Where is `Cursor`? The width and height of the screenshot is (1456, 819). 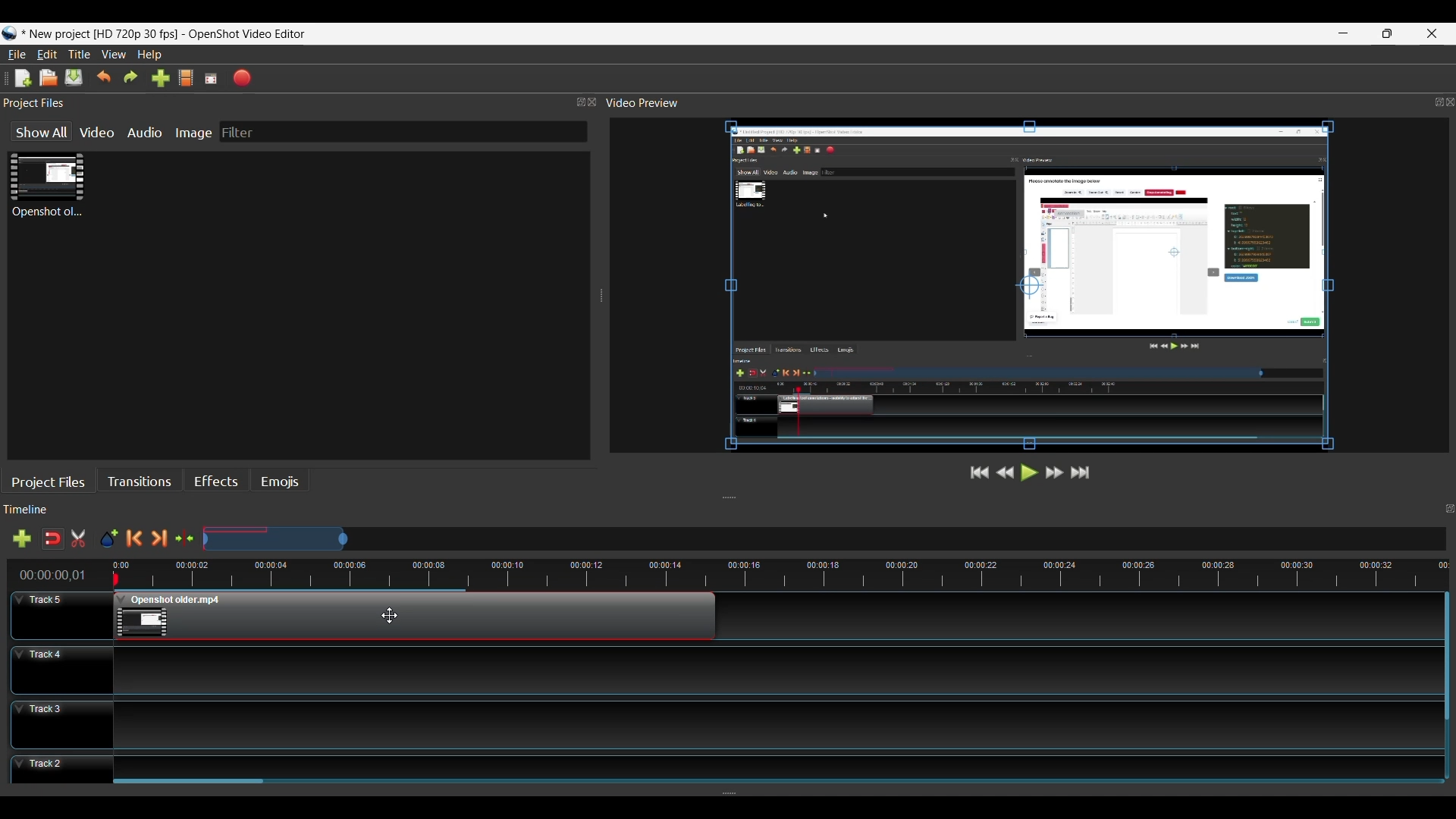 Cursor is located at coordinates (391, 614).